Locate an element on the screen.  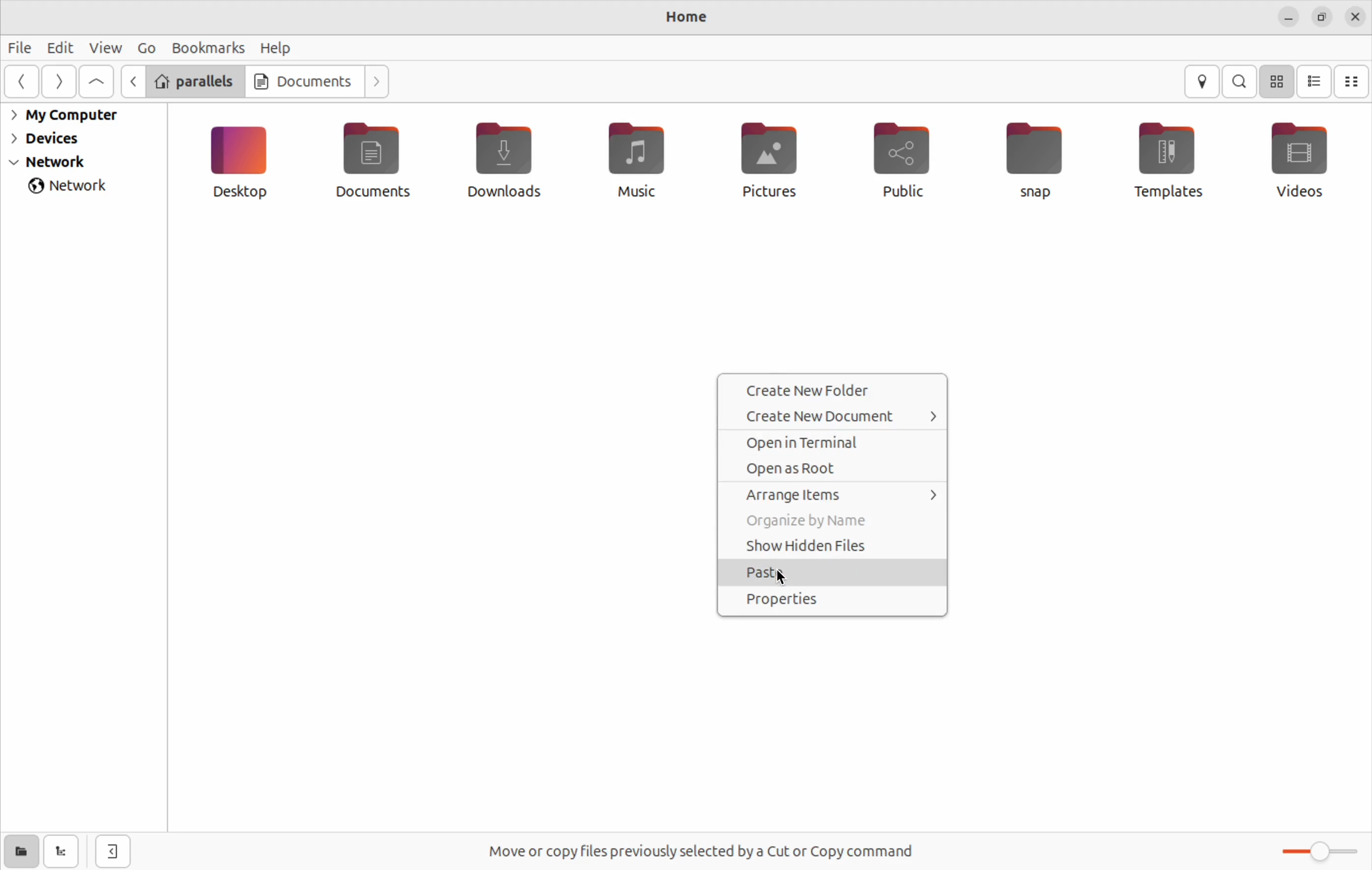
book marks is located at coordinates (205, 48).